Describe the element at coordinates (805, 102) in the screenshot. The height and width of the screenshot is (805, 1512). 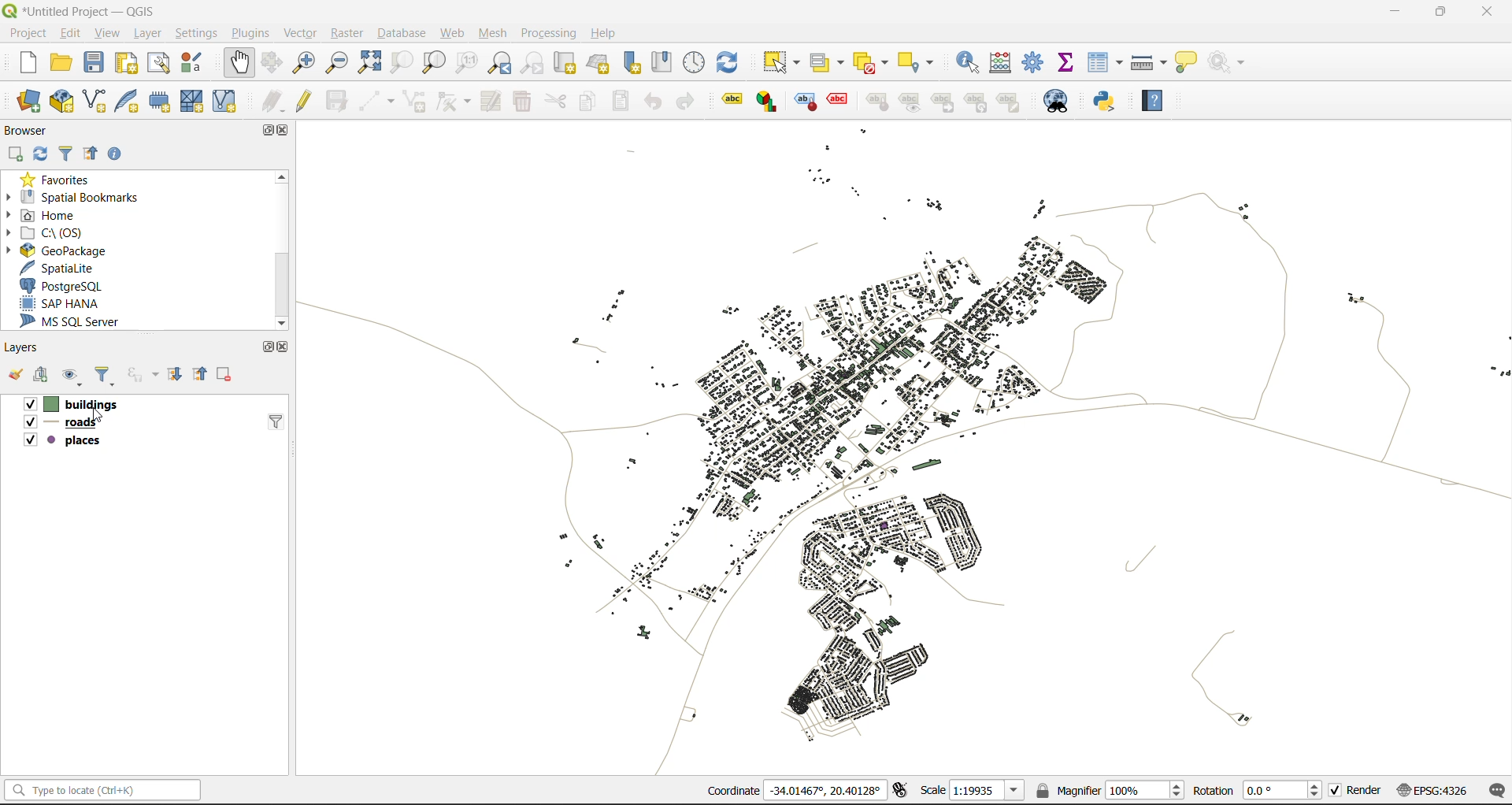
I see `highlight pinned labels and diagrams` at that location.